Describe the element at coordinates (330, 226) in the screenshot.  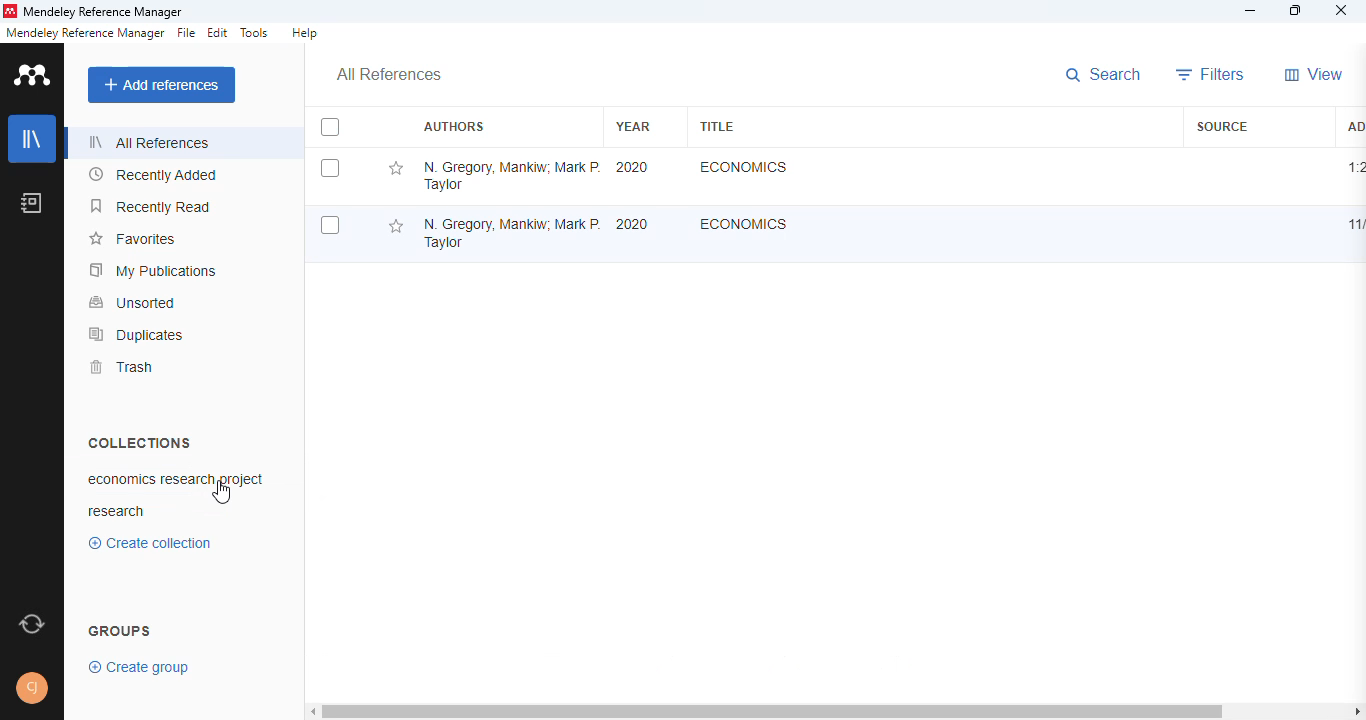
I see `select` at that location.